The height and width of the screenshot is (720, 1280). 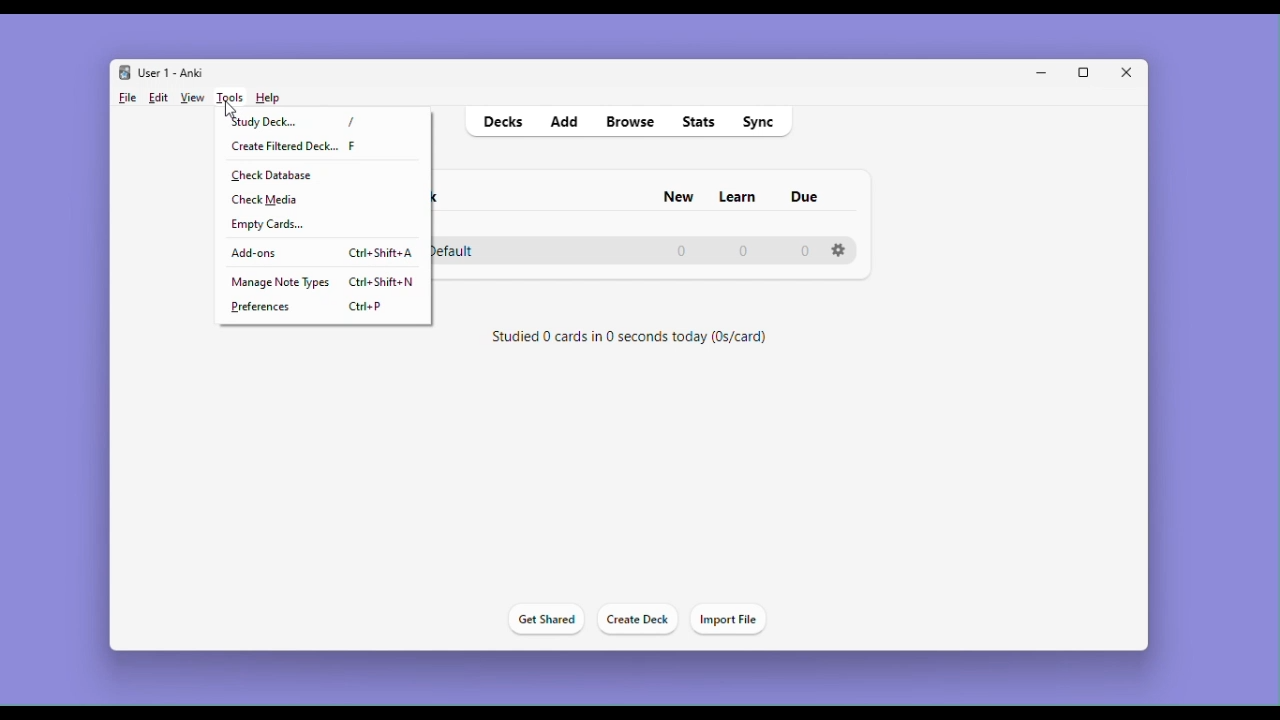 What do you see at coordinates (230, 98) in the screenshot?
I see `Tools` at bounding box center [230, 98].